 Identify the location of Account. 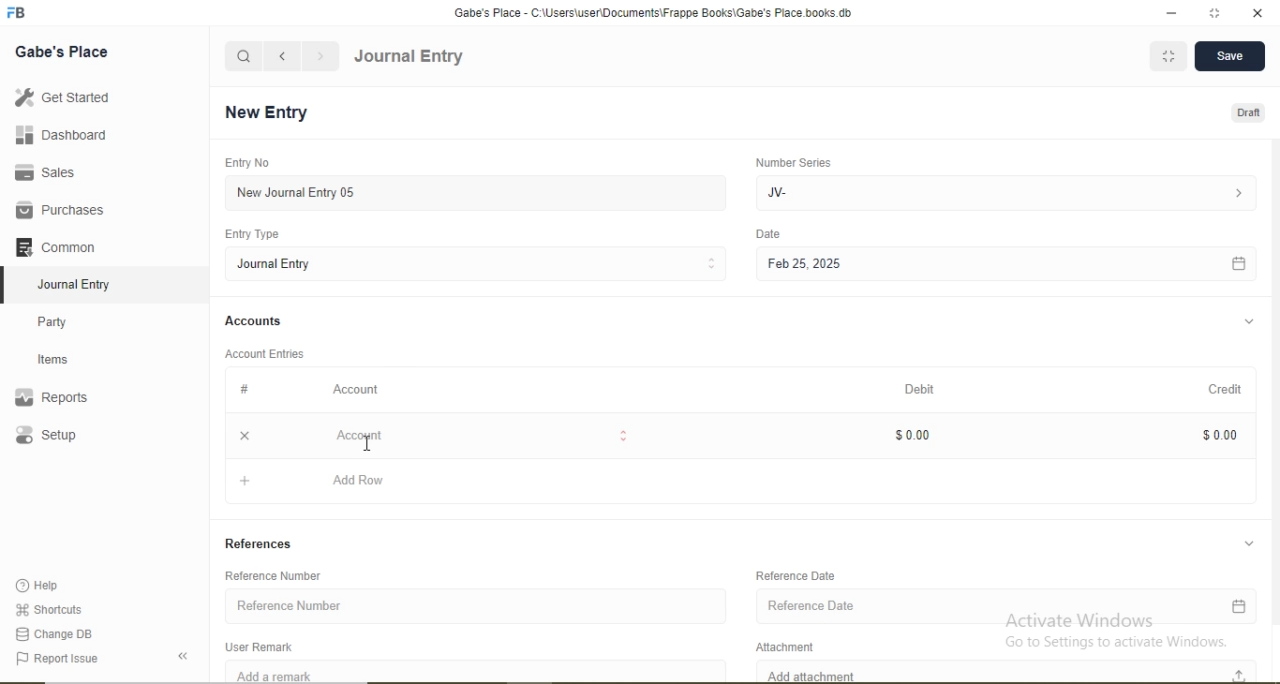
(476, 435).